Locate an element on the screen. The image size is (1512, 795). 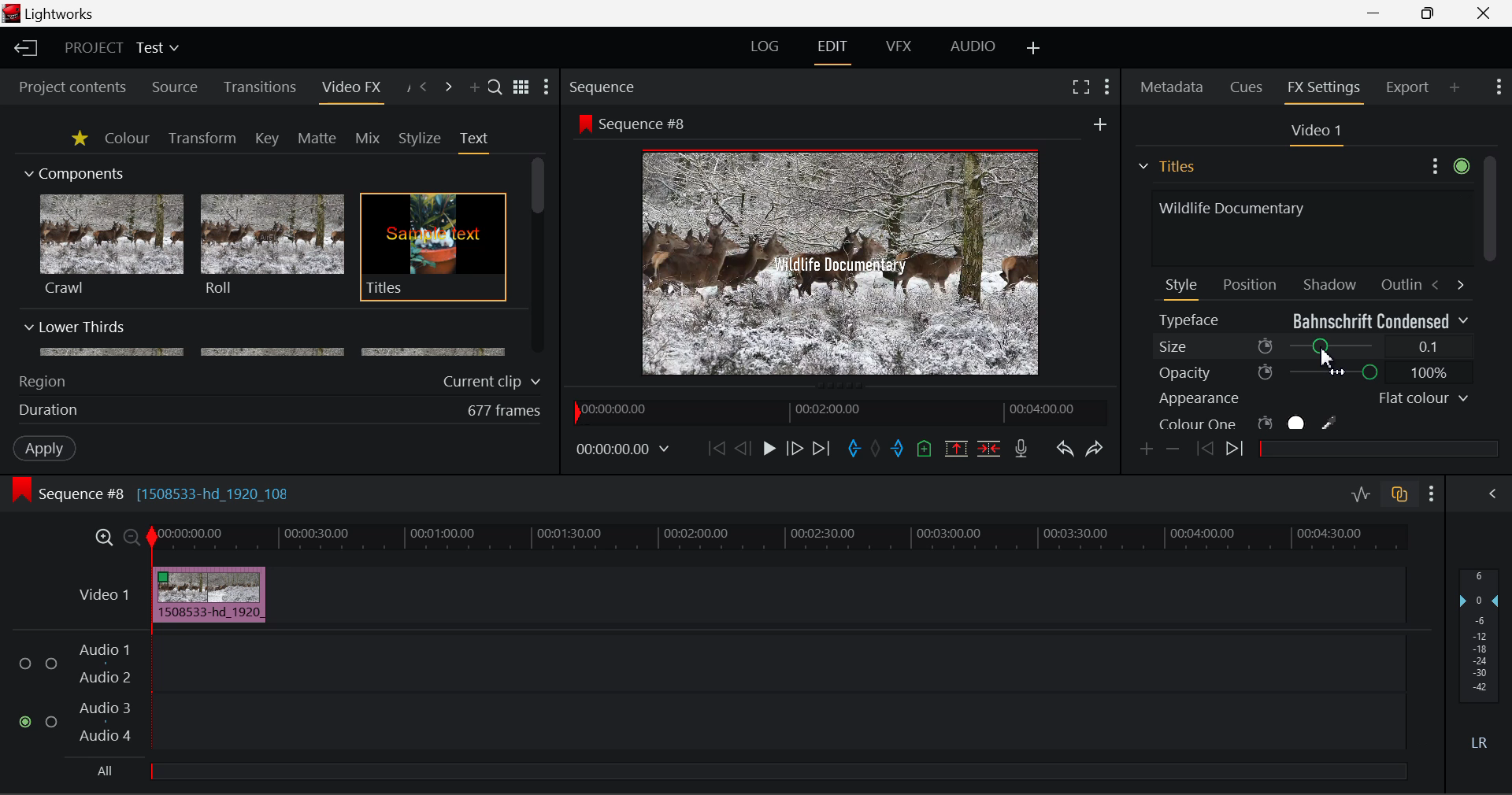
Project Timeline Navigator is located at coordinates (839, 409).